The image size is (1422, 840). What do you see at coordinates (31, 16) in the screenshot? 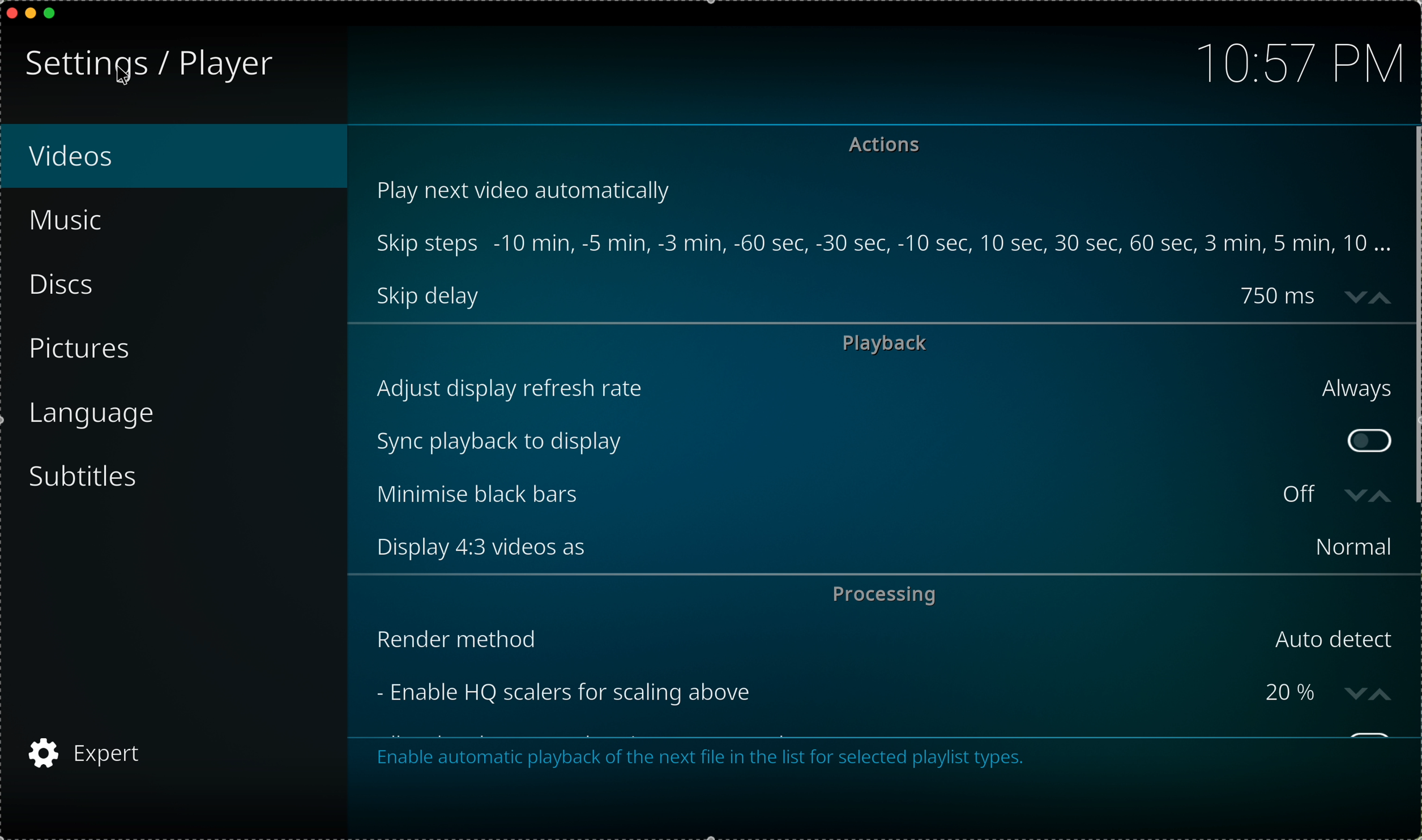
I see `minimize ` at bounding box center [31, 16].